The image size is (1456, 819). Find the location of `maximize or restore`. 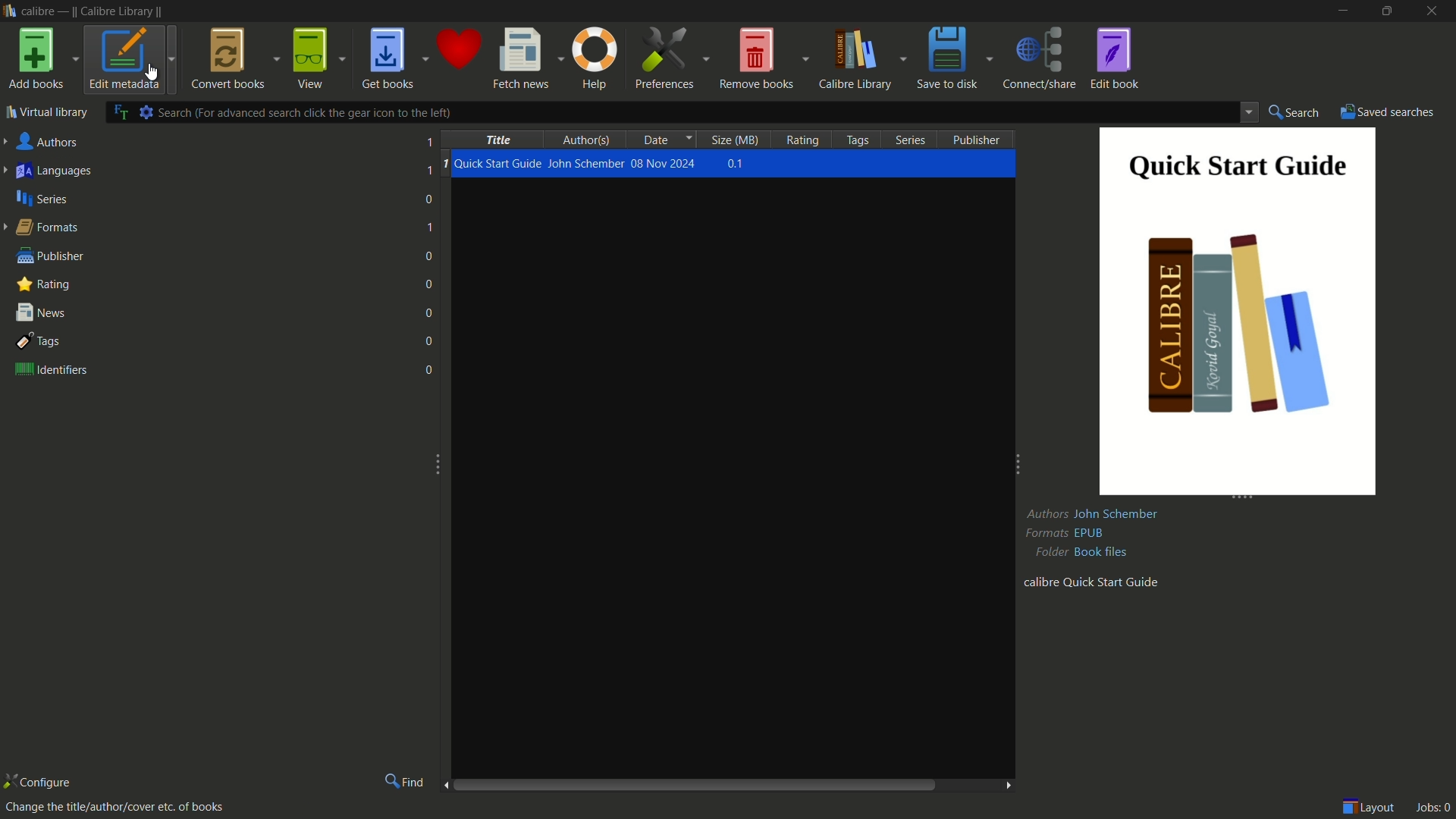

maximize or restore is located at coordinates (1389, 11).